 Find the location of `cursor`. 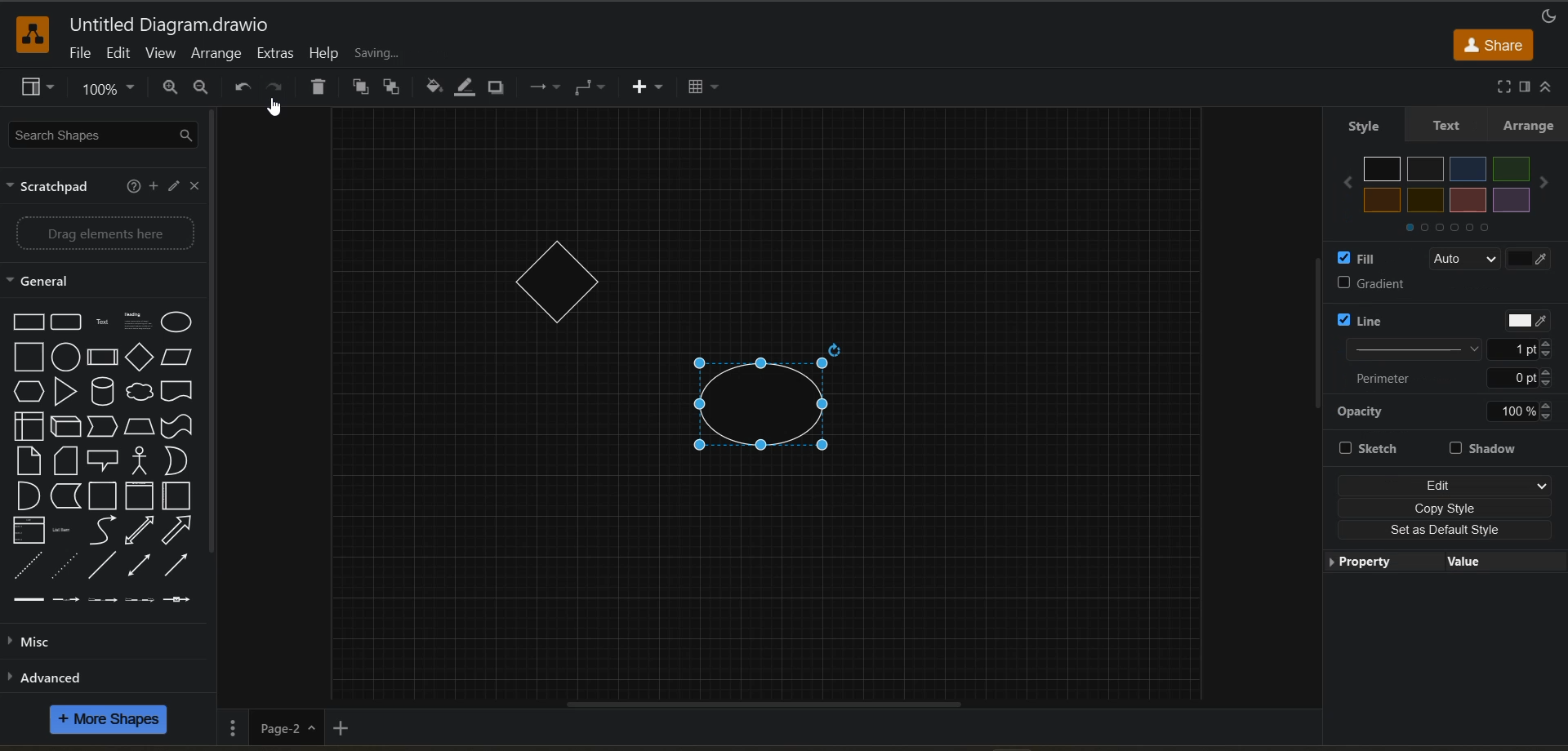

cursor is located at coordinates (273, 109).